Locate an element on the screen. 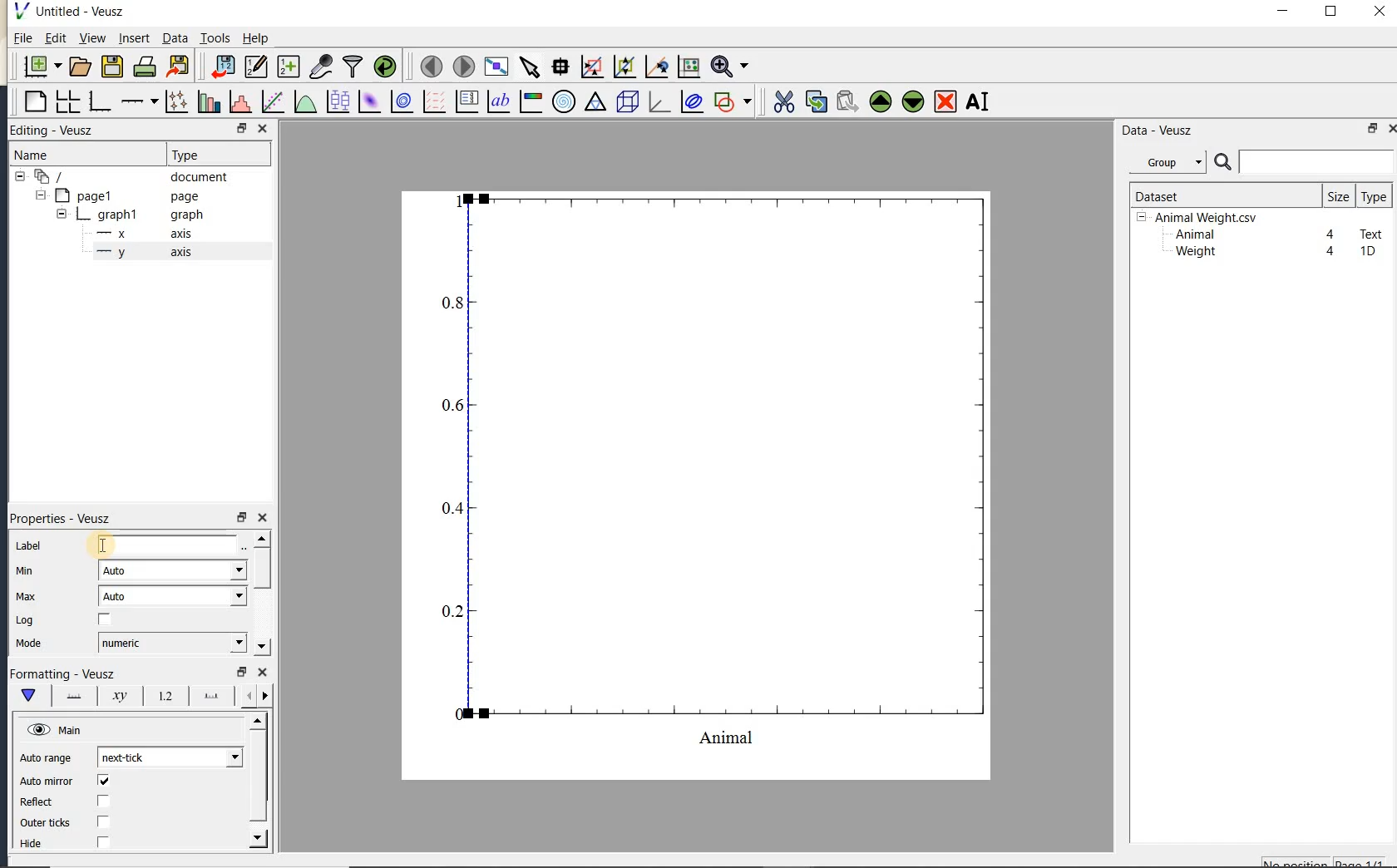  scrollbar is located at coordinates (259, 781).